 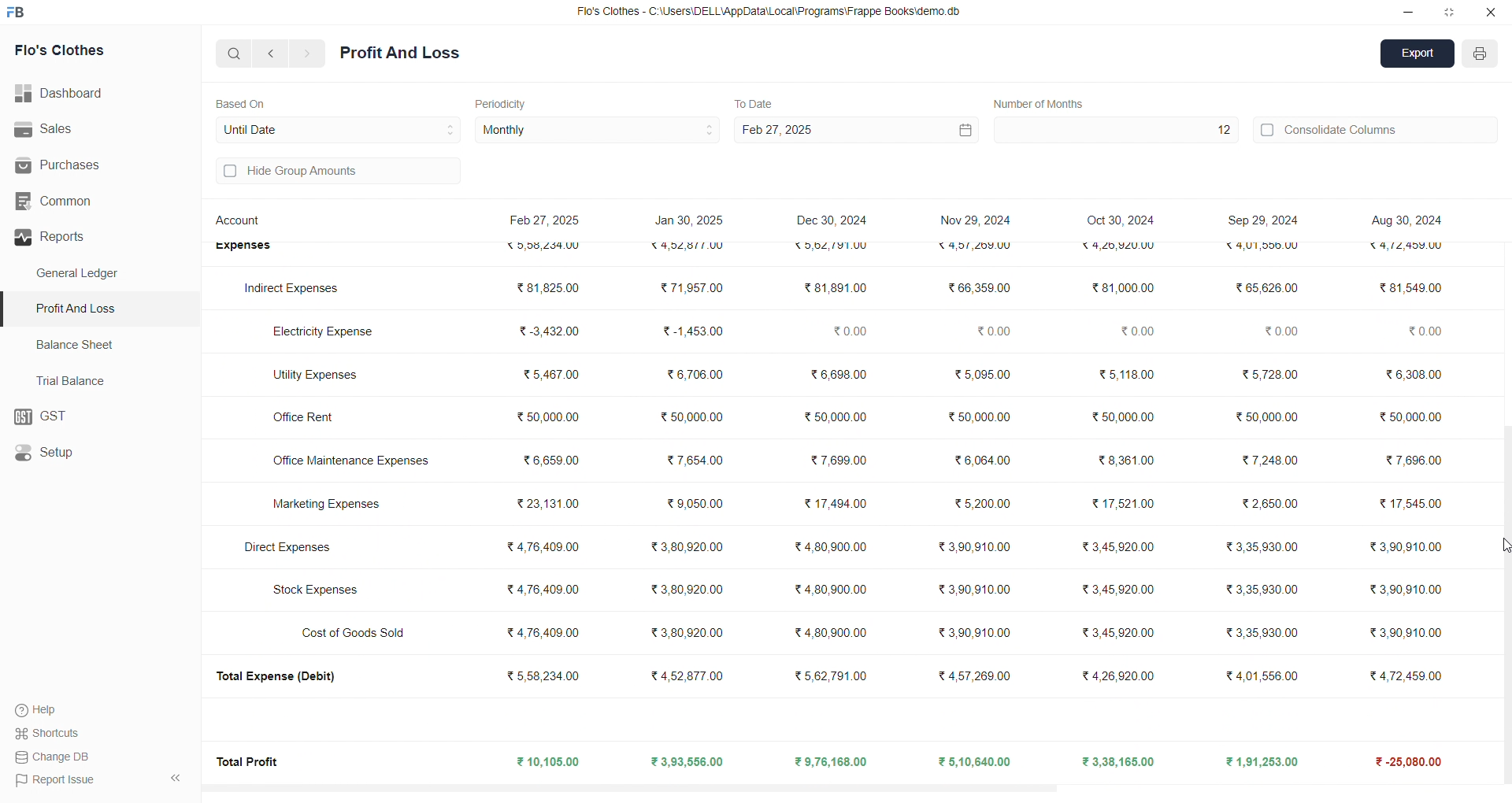 I want to click on ₹23,131.00, so click(x=548, y=503).